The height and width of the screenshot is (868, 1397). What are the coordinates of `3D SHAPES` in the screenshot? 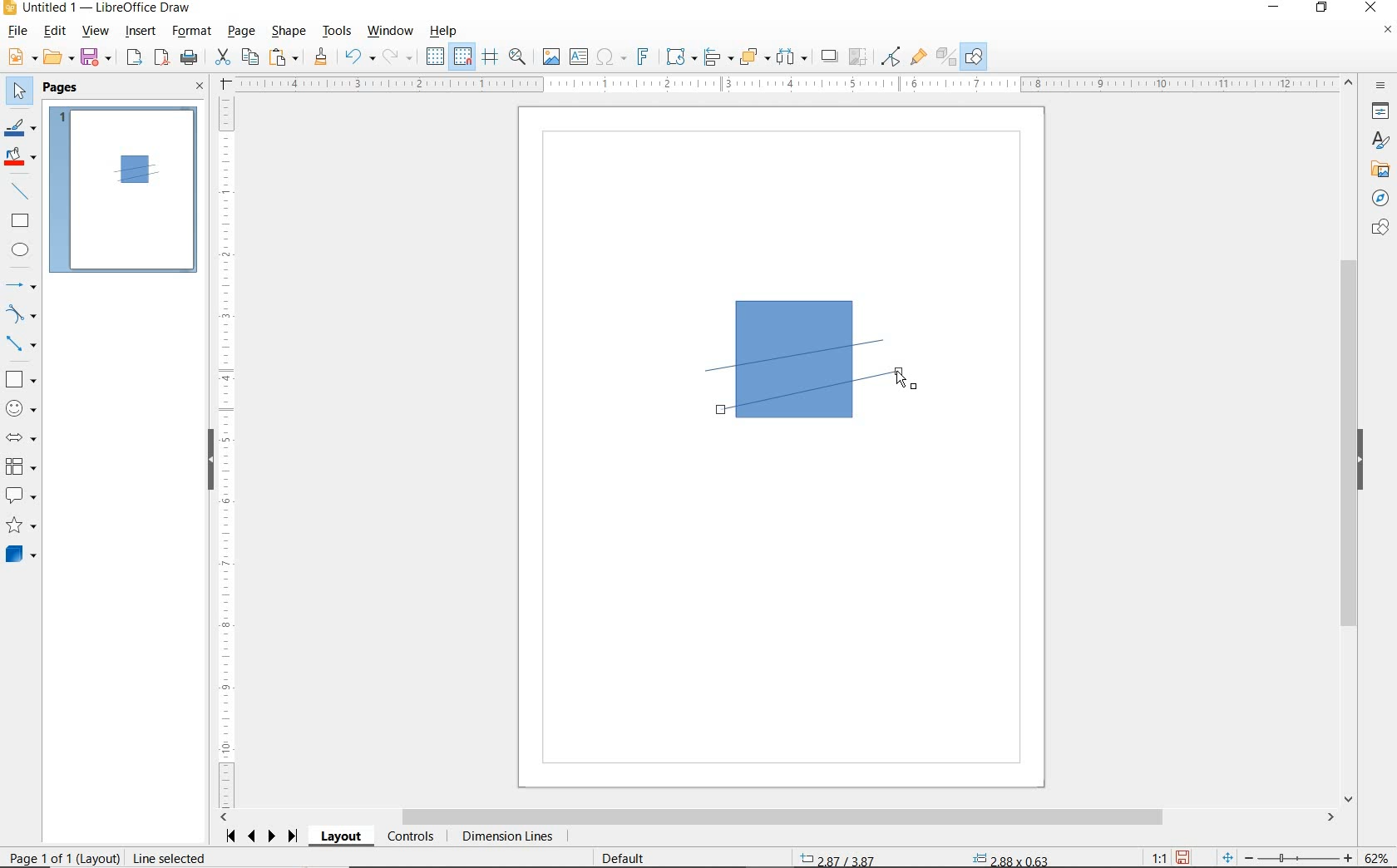 It's located at (21, 555).